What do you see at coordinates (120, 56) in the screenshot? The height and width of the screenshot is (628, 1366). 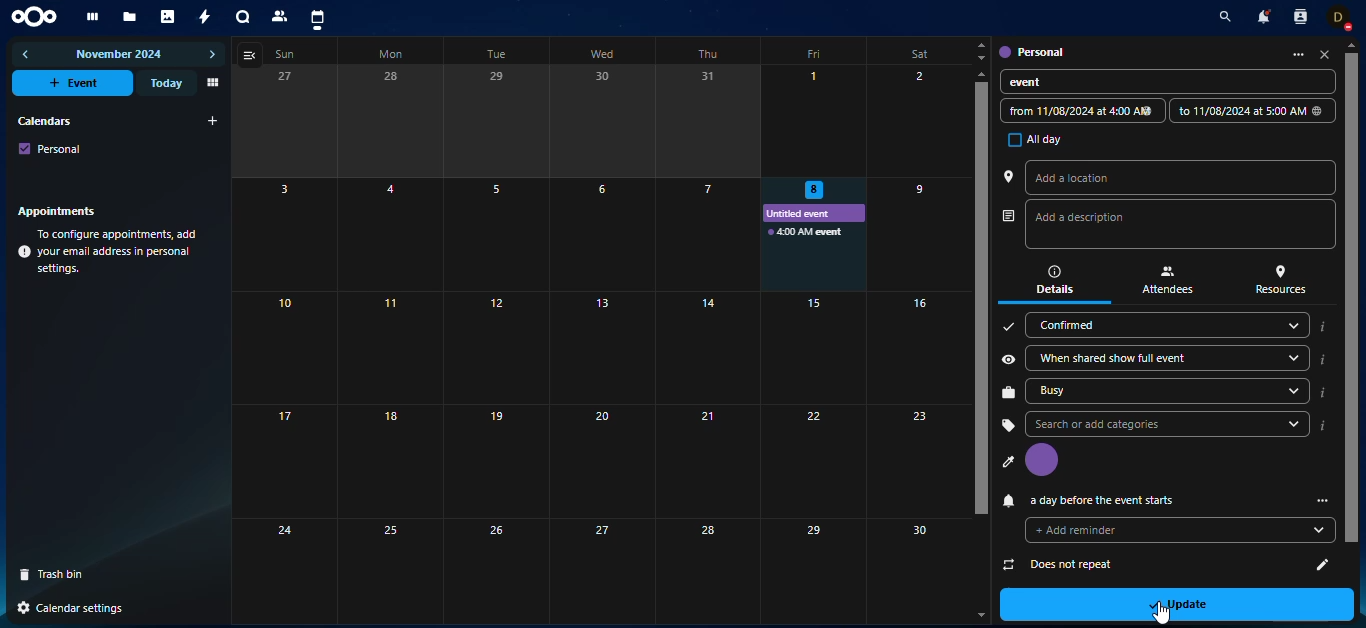 I see `november` at bounding box center [120, 56].